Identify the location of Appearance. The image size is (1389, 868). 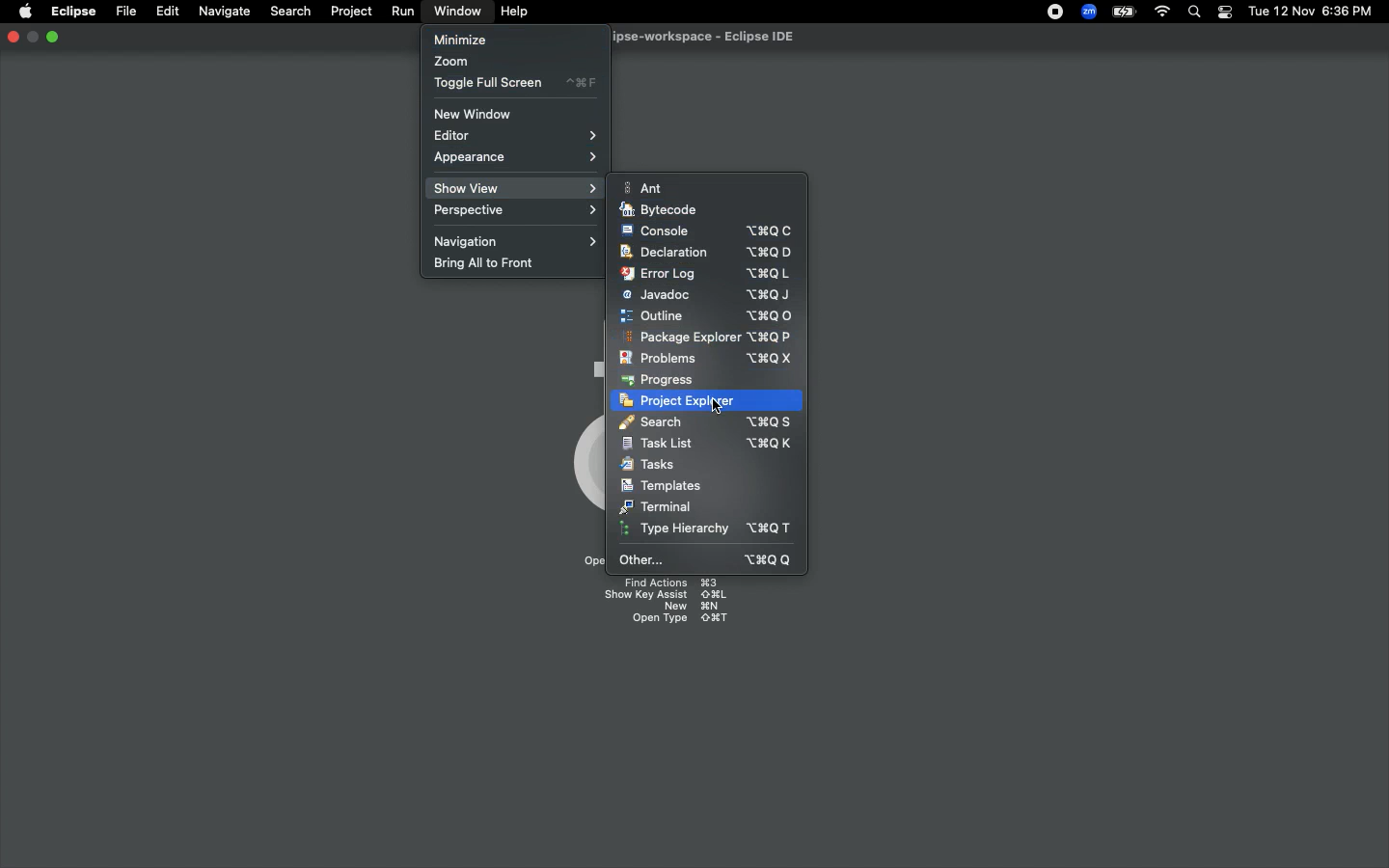
(516, 159).